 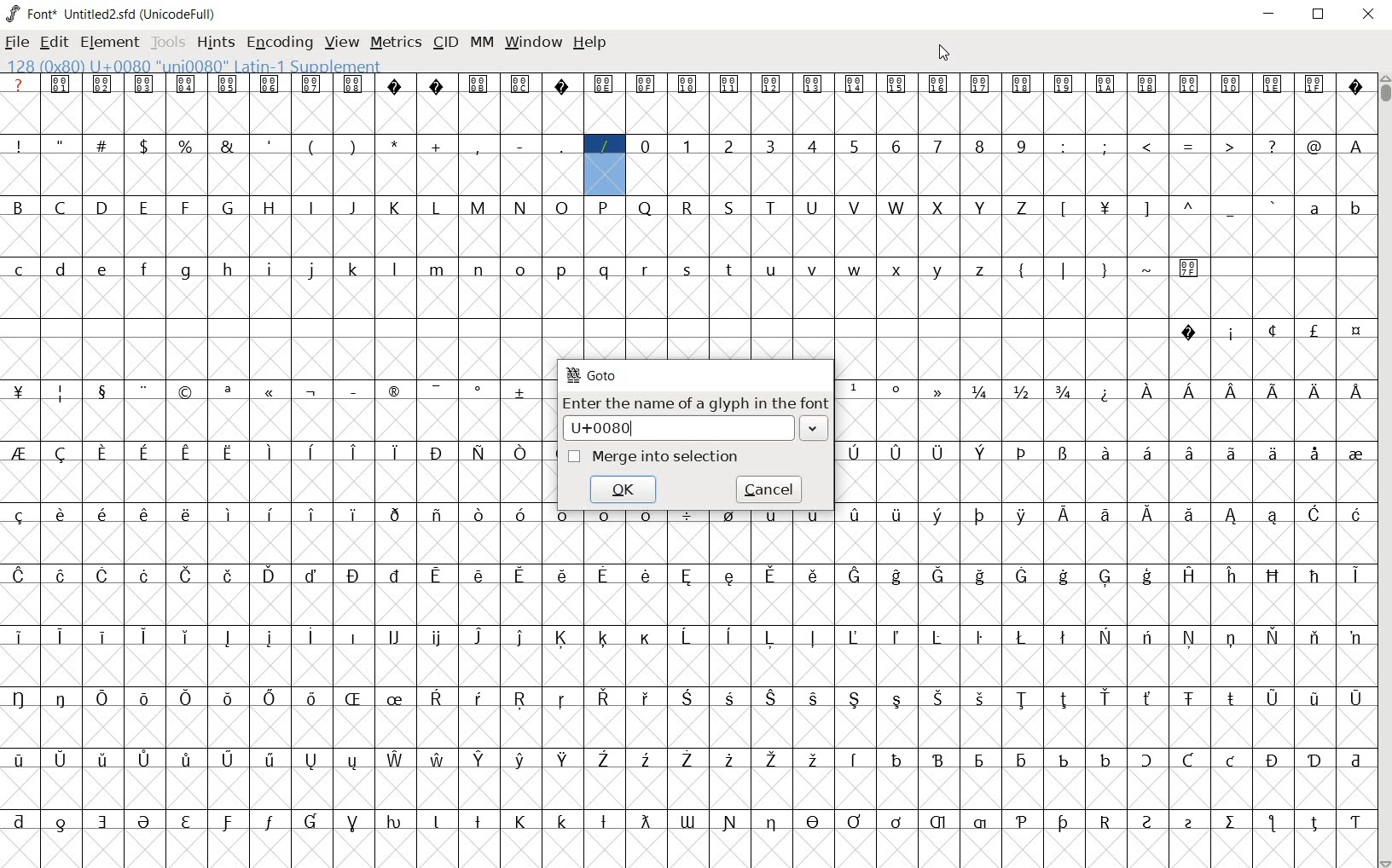 What do you see at coordinates (937, 637) in the screenshot?
I see `glyph` at bounding box center [937, 637].